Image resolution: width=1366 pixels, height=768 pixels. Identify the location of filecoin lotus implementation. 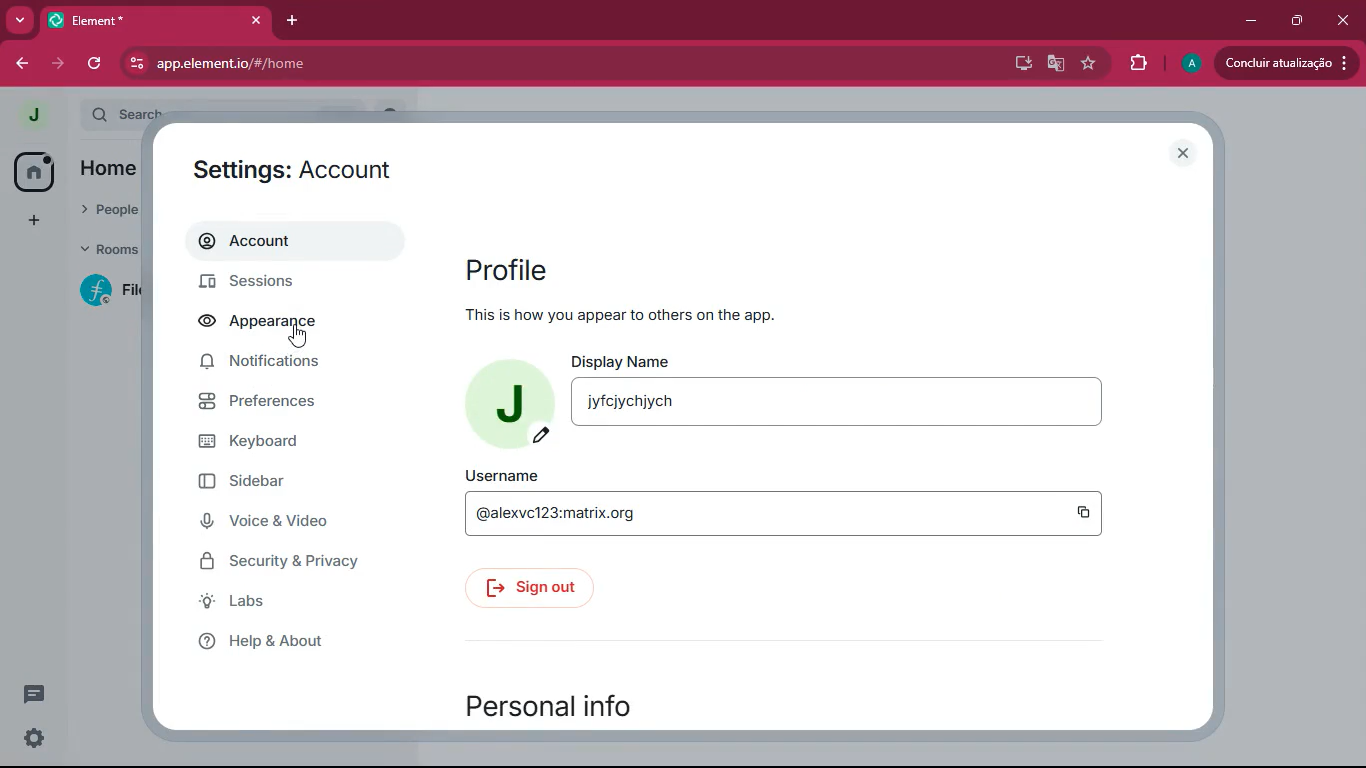
(111, 291).